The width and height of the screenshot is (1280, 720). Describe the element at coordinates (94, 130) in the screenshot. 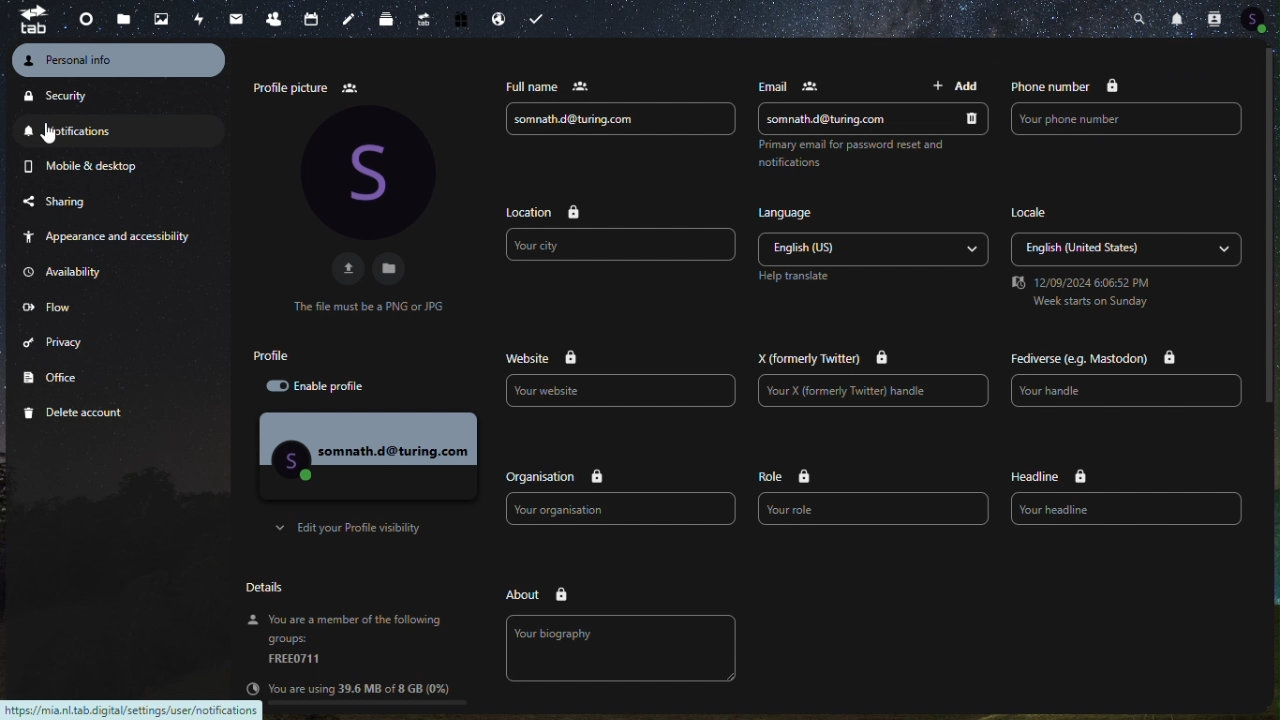

I see `notification` at that location.